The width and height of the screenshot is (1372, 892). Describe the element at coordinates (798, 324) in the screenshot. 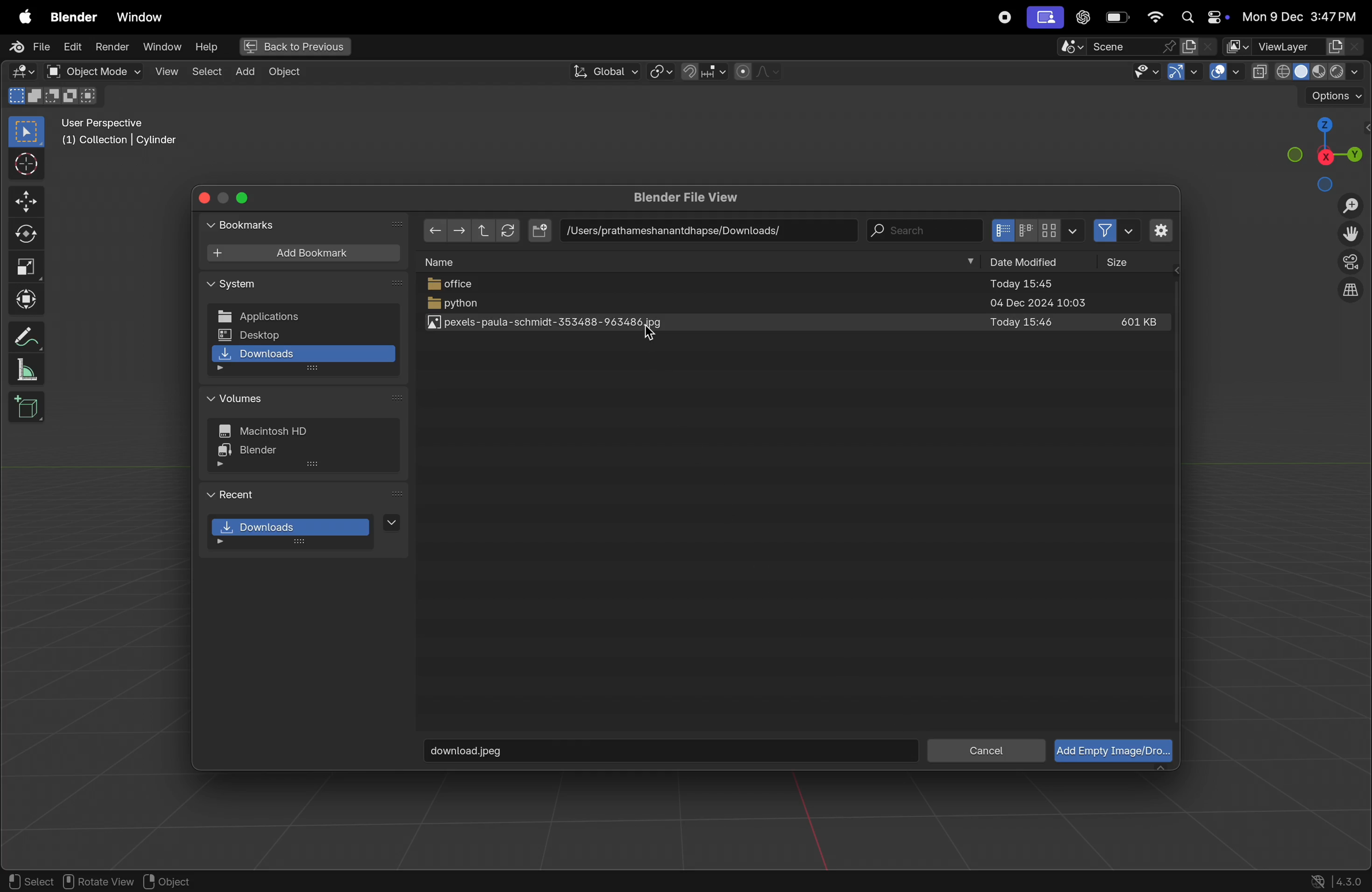

I see `` at that location.